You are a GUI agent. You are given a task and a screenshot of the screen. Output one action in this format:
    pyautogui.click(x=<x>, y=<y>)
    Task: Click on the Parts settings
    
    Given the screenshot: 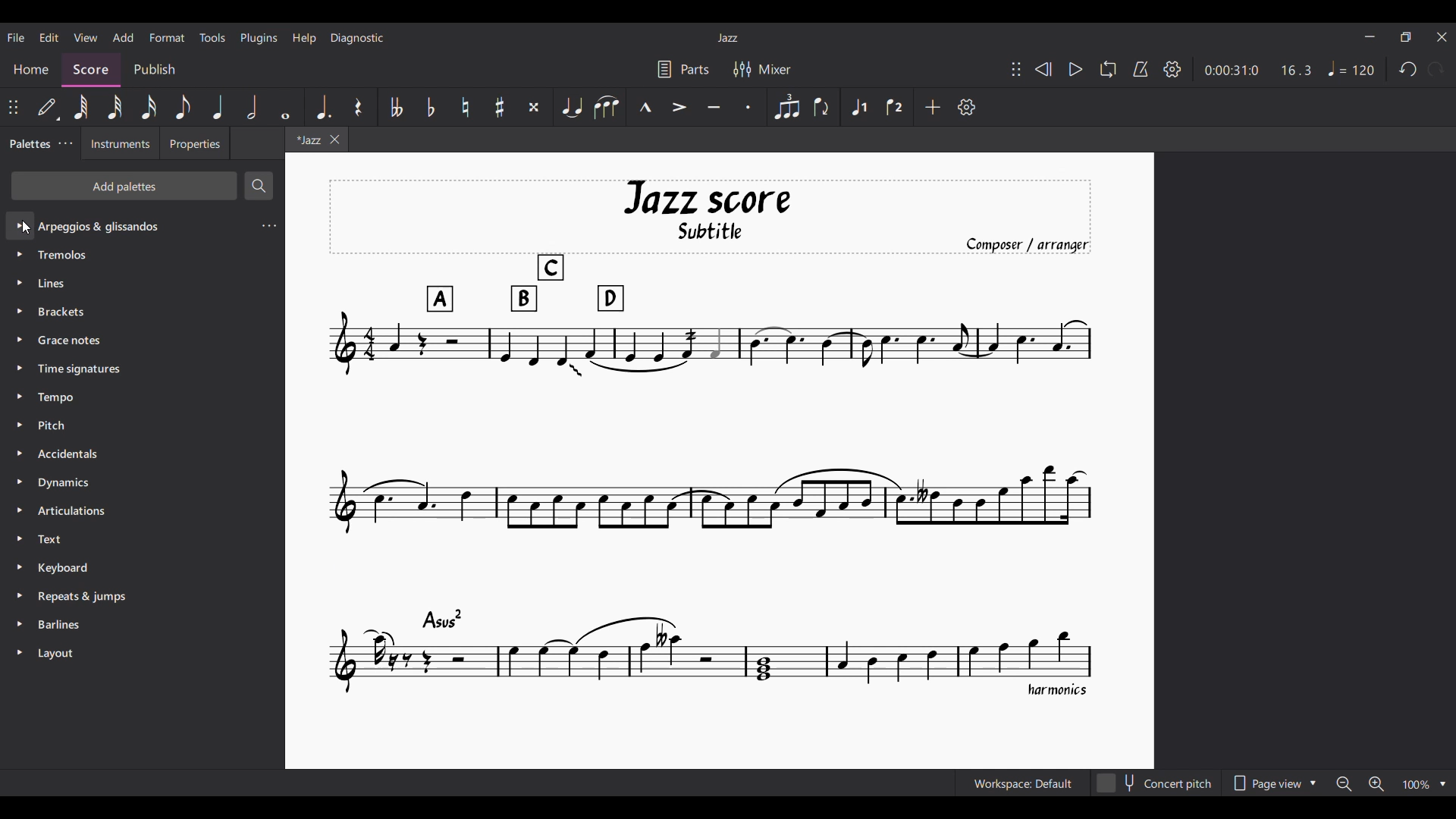 What is the action you would take?
    pyautogui.click(x=684, y=69)
    